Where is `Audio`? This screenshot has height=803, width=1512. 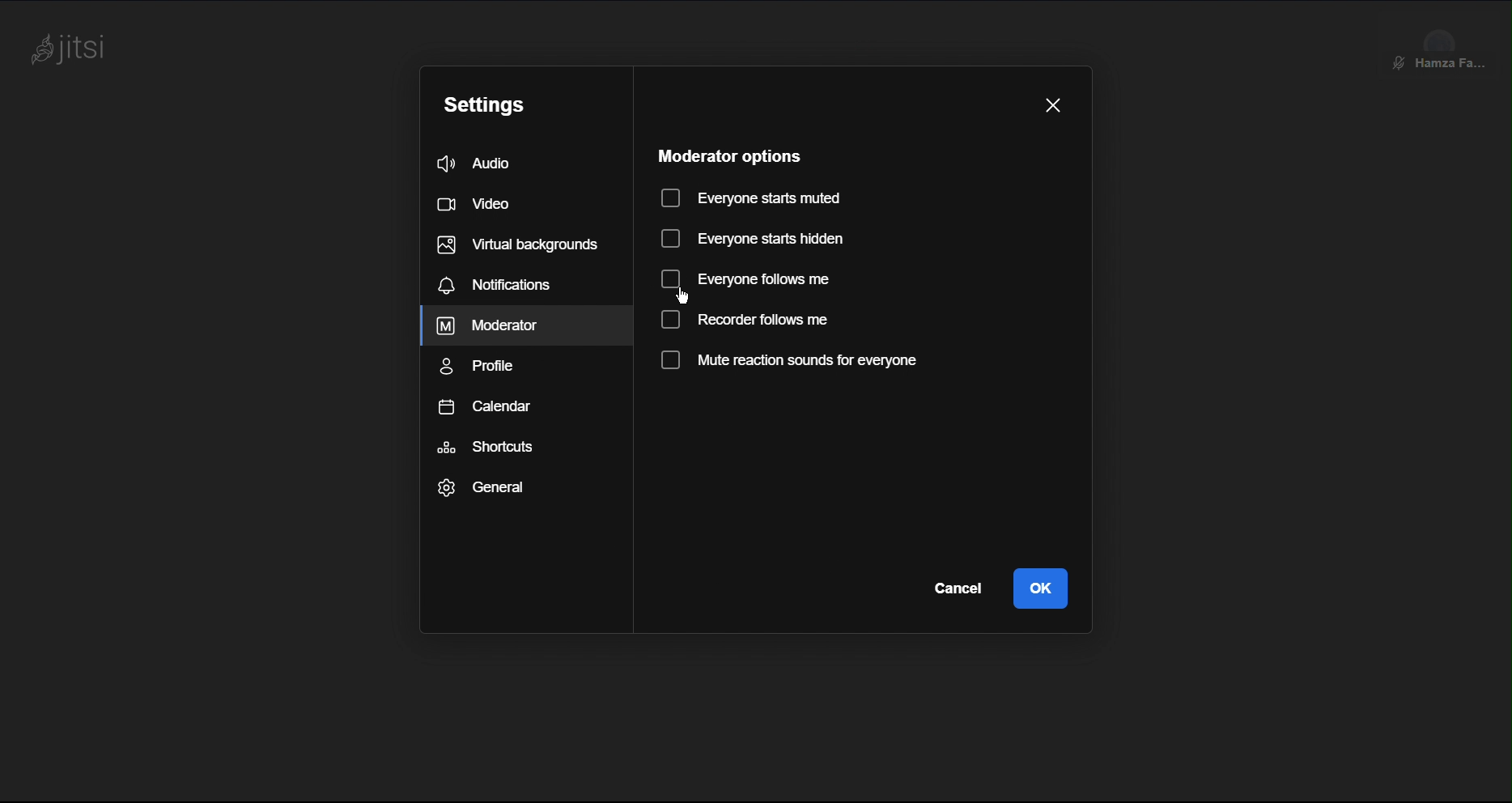
Audio is located at coordinates (495, 164).